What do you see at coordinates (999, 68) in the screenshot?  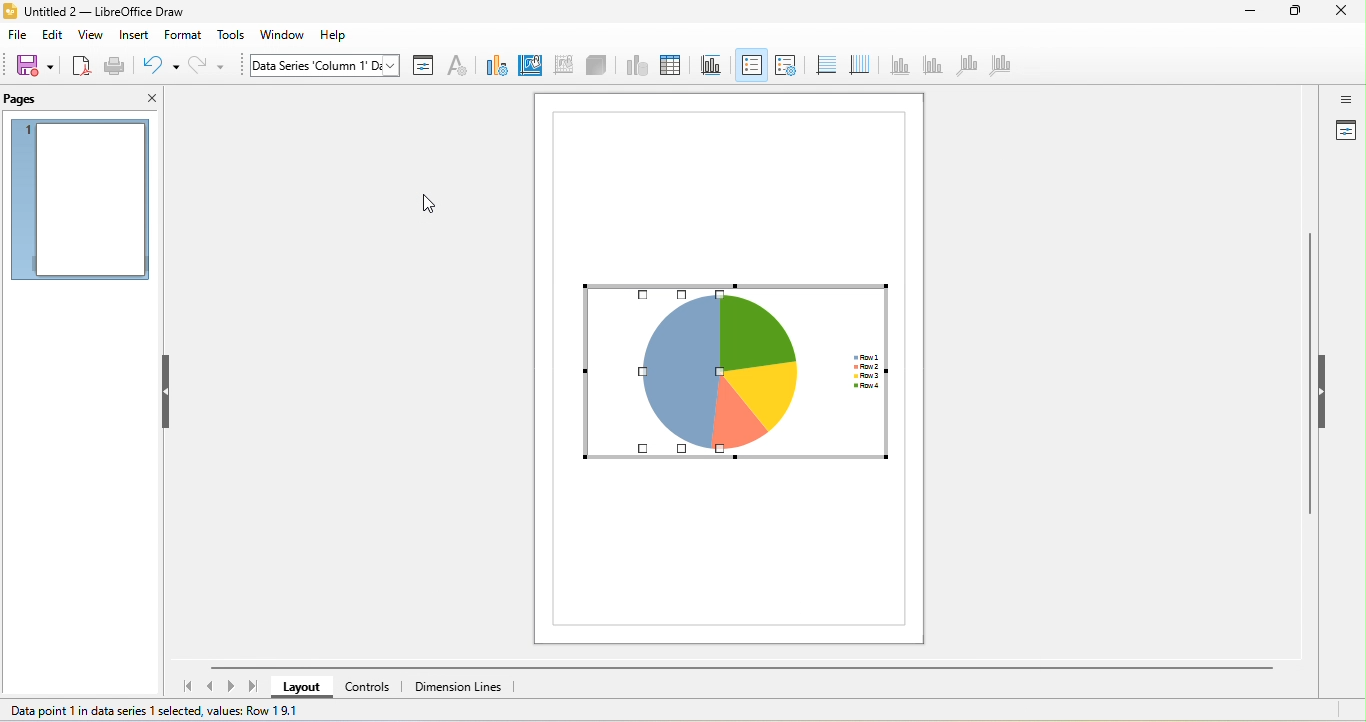 I see `all axes` at bounding box center [999, 68].